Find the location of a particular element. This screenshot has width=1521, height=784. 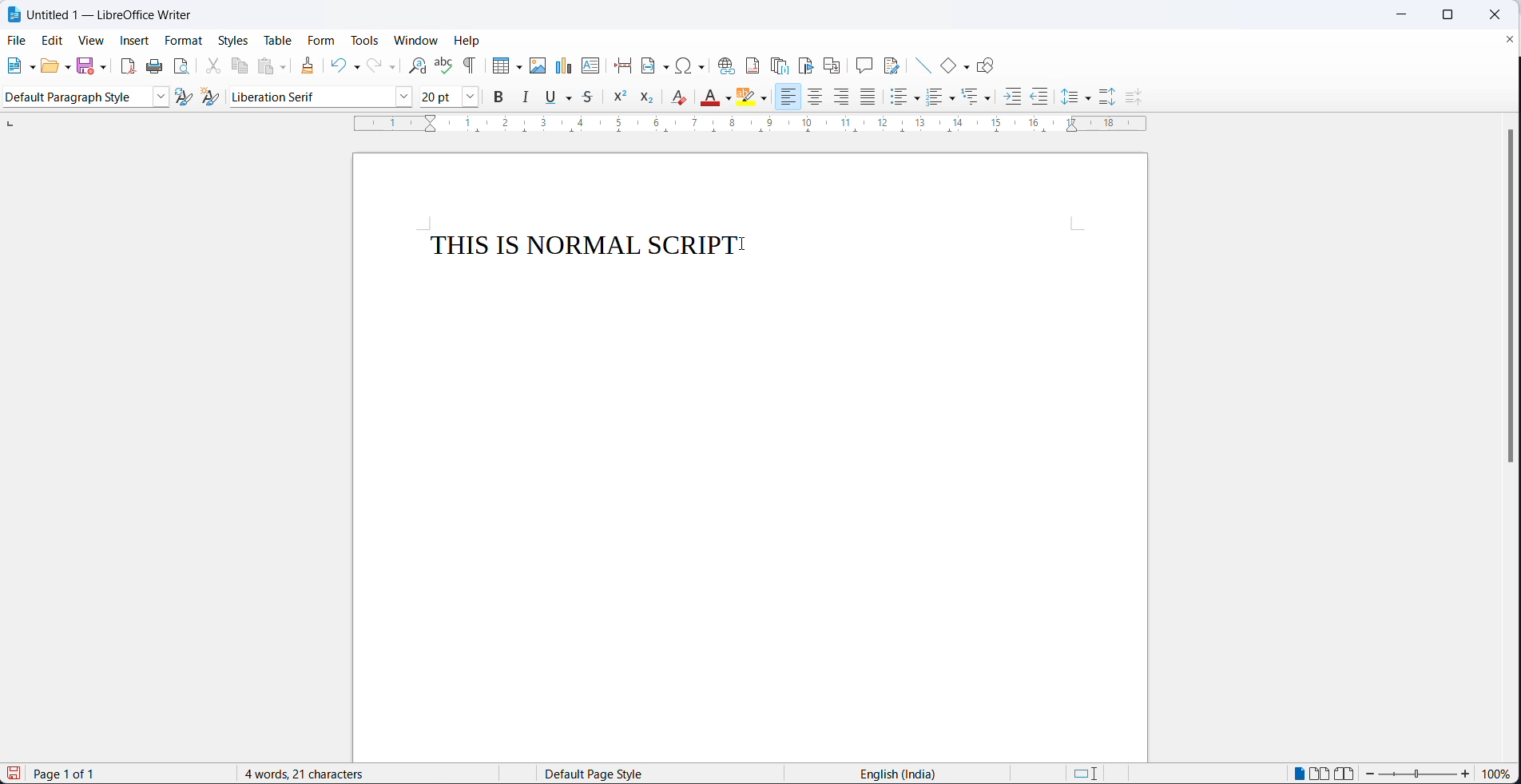

multipage view is located at coordinates (1320, 774).